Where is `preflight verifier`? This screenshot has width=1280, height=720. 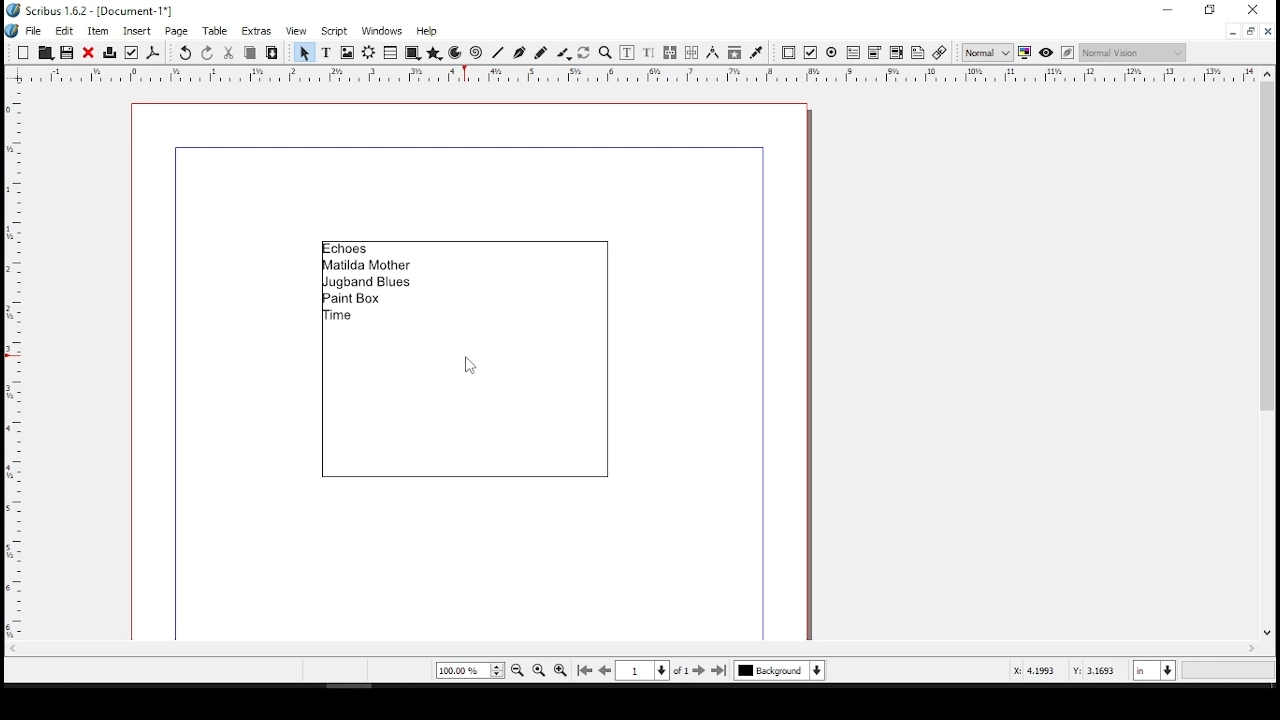 preflight verifier is located at coordinates (133, 52).